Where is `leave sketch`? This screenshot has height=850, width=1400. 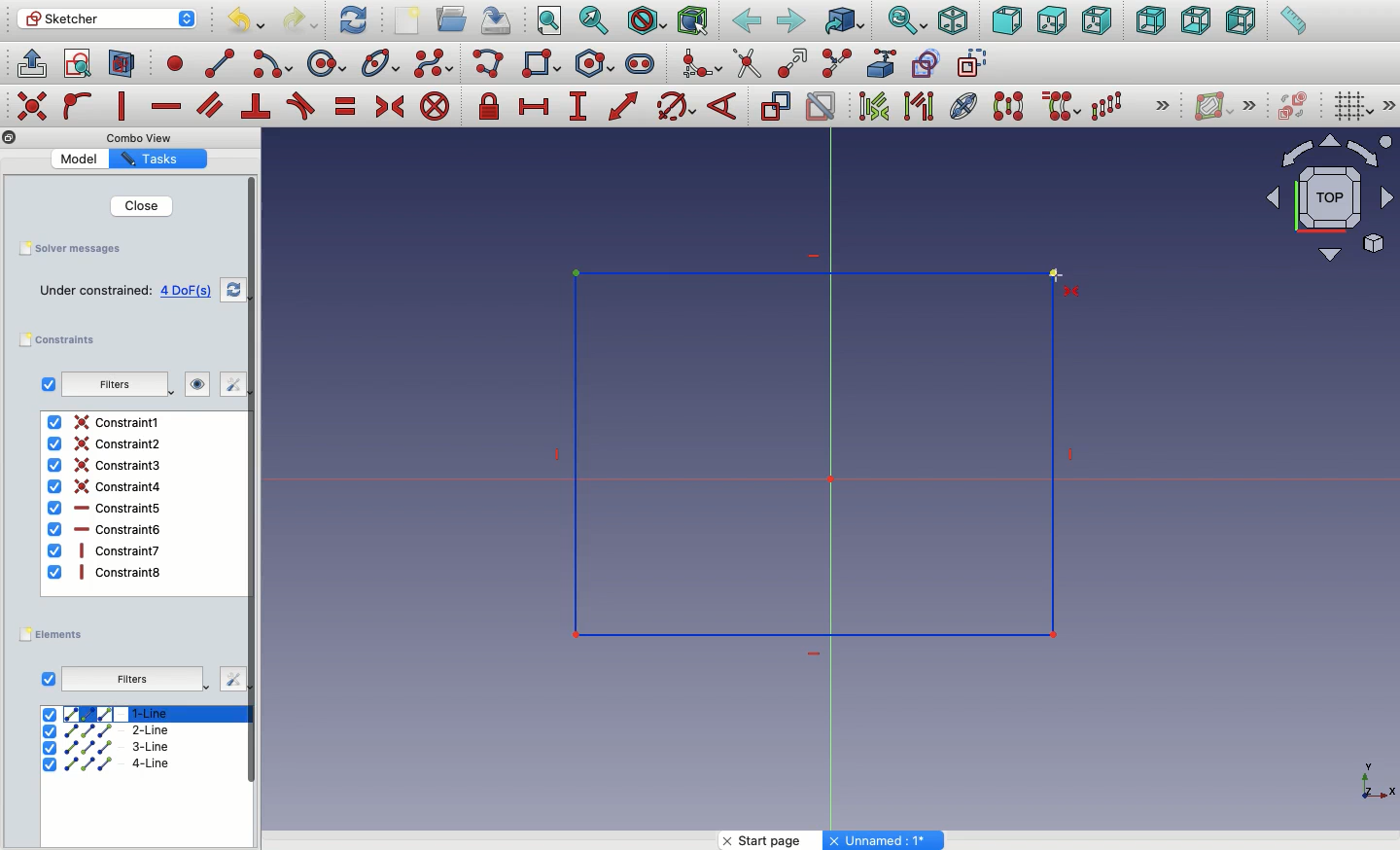
leave sketch is located at coordinates (30, 62).